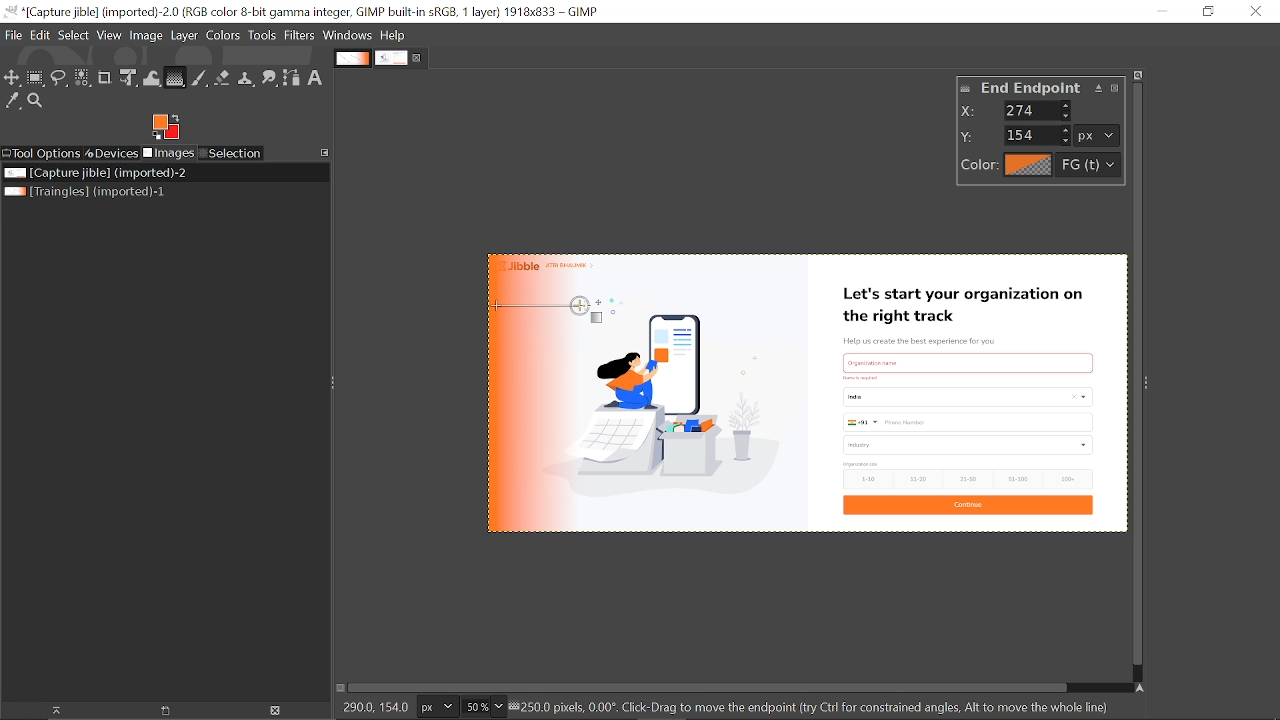 This screenshot has width=1280, height=720. I want to click on Move tool, so click(12, 78).